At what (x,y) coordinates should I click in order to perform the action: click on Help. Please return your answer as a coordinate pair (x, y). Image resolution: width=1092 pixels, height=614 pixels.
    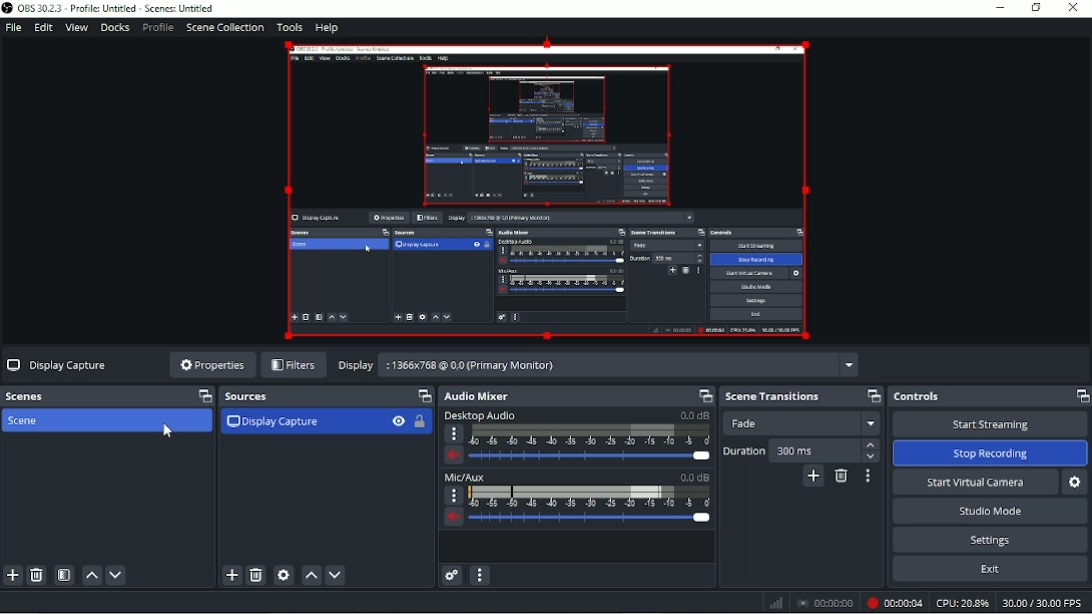
    Looking at the image, I should click on (328, 28).